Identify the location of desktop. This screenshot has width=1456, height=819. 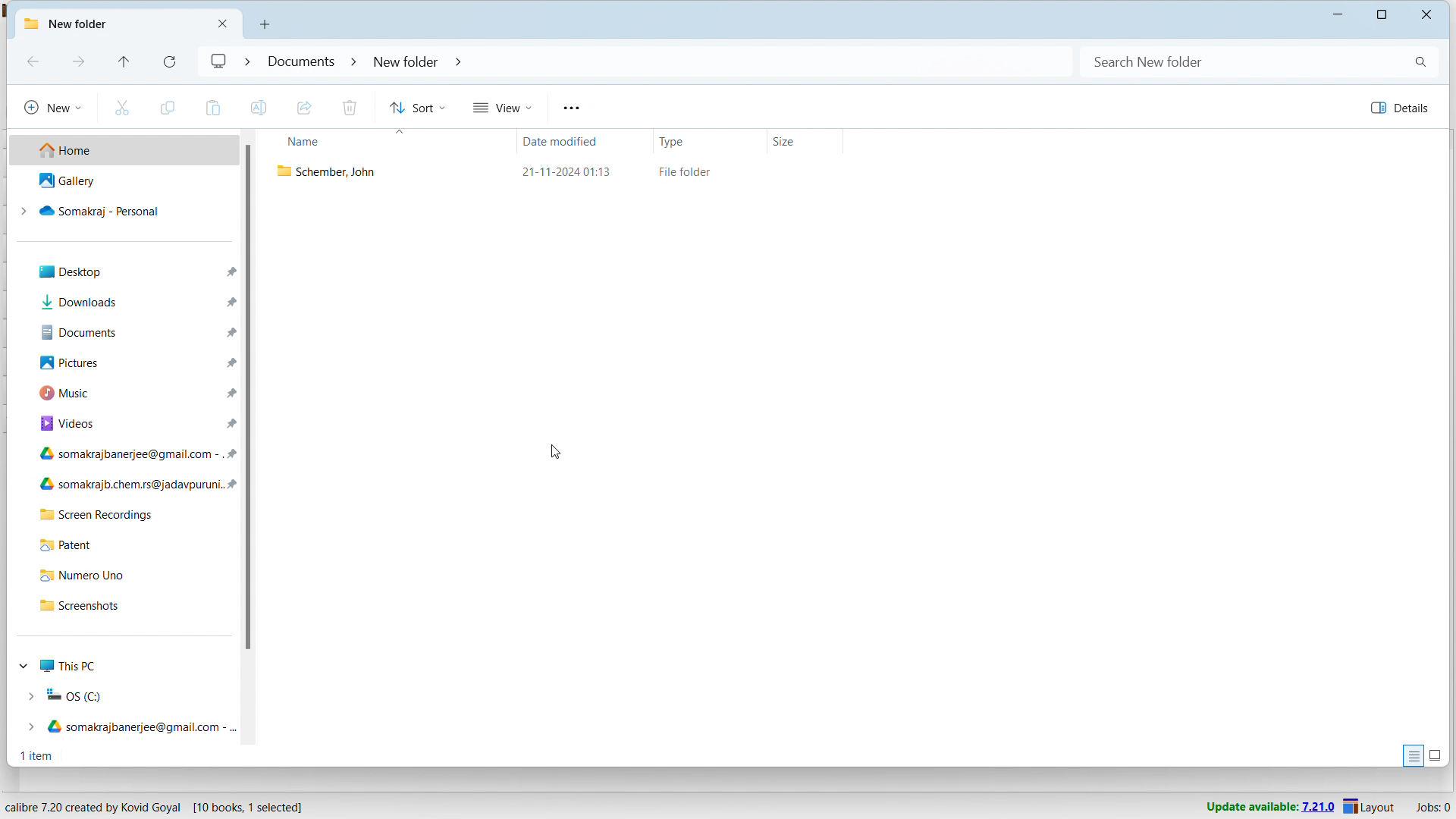
(130, 270).